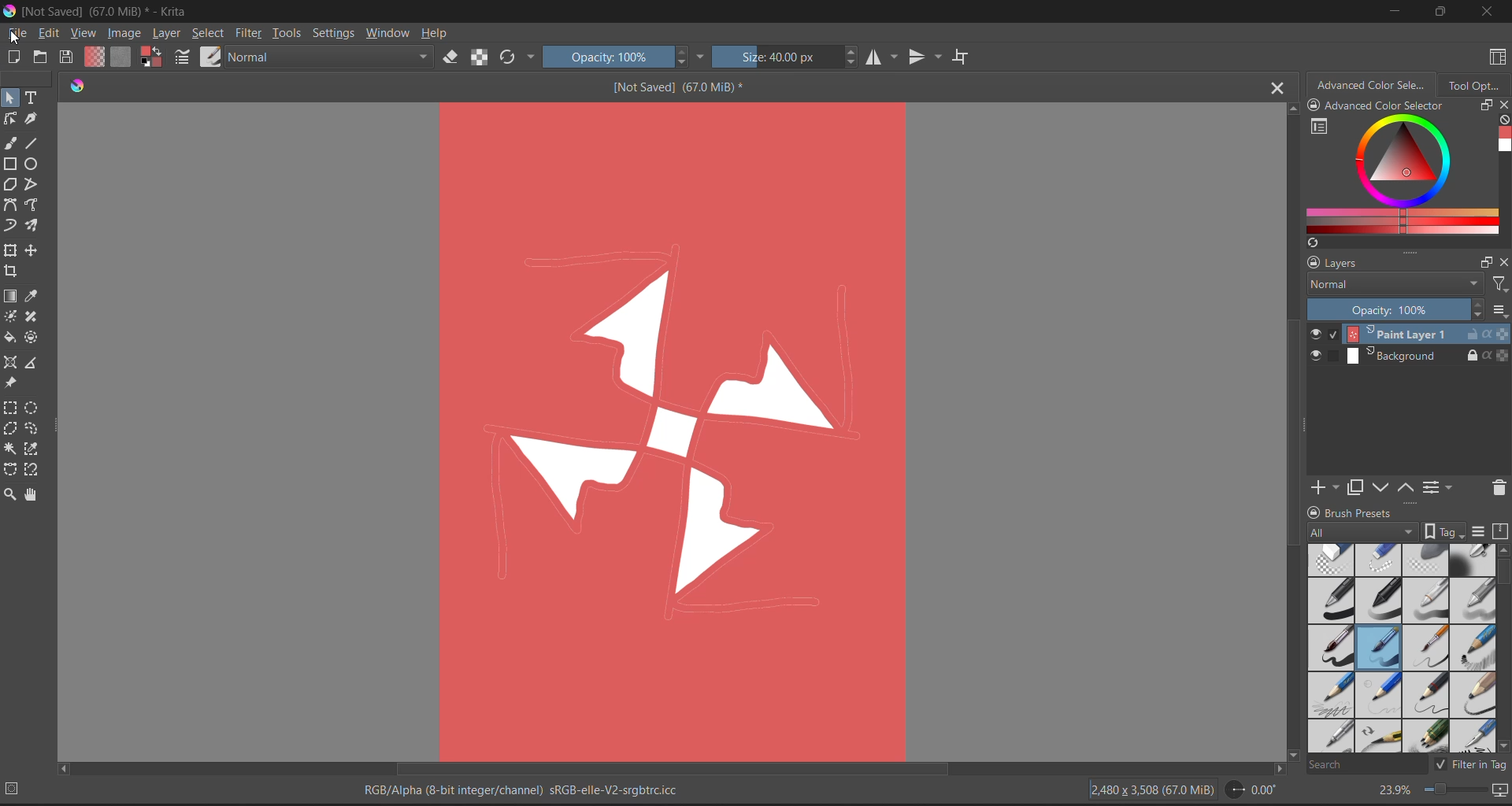  What do you see at coordinates (9, 294) in the screenshot?
I see `tools` at bounding box center [9, 294].